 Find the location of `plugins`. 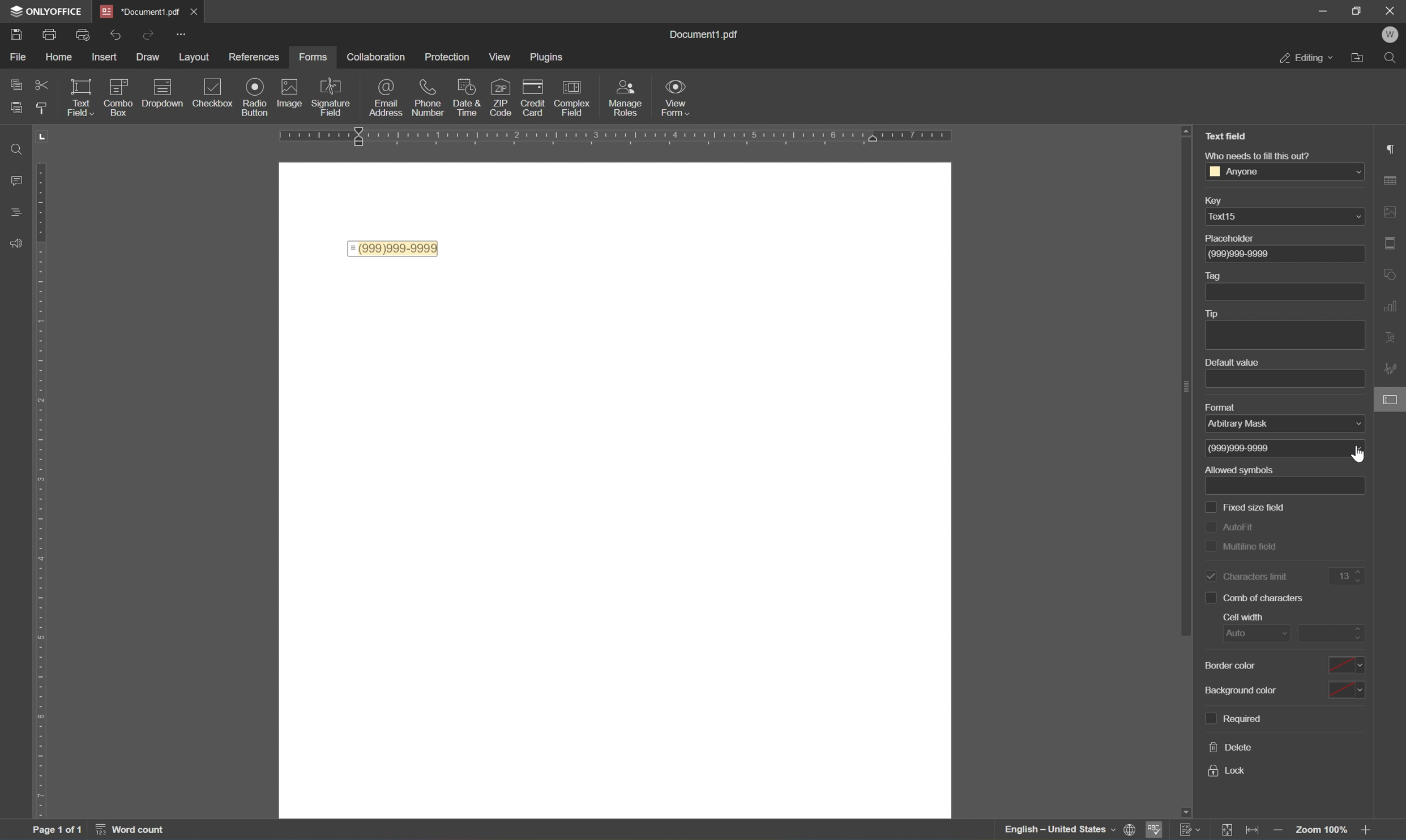

plugins is located at coordinates (546, 57).